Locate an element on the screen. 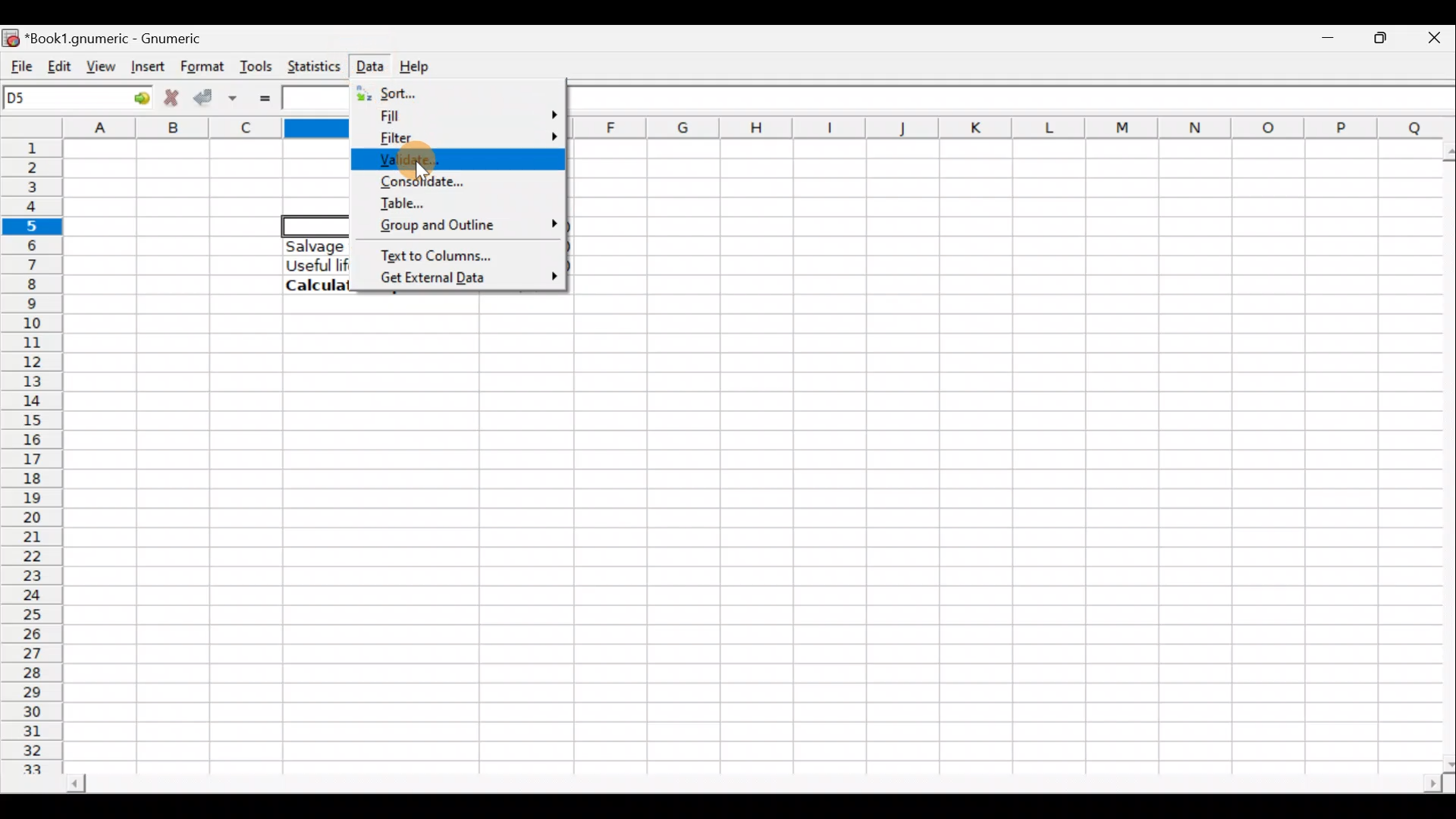 This screenshot has width=1456, height=819. Gnumeric logo is located at coordinates (11, 36).